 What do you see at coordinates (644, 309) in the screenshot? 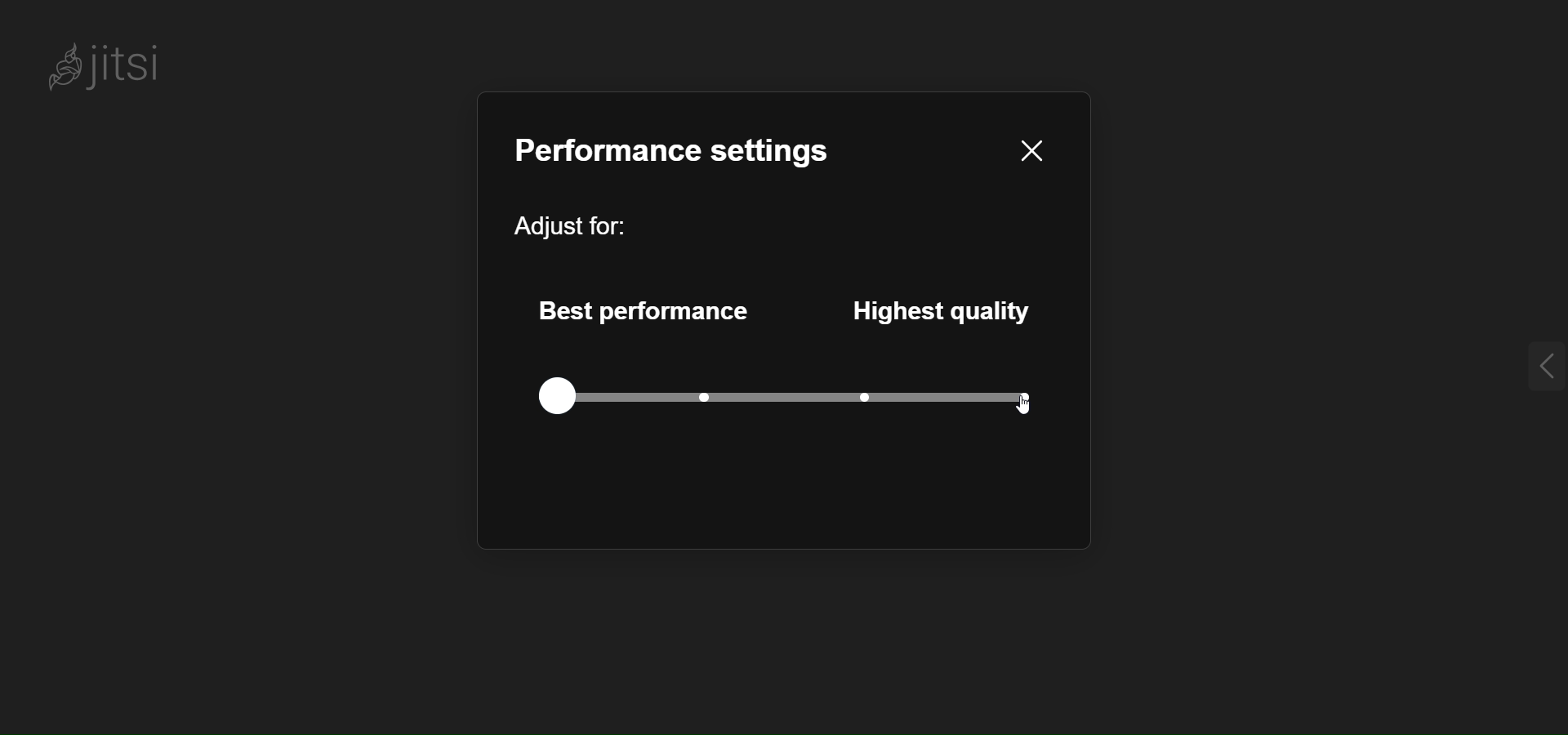
I see `best performance` at bounding box center [644, 309].